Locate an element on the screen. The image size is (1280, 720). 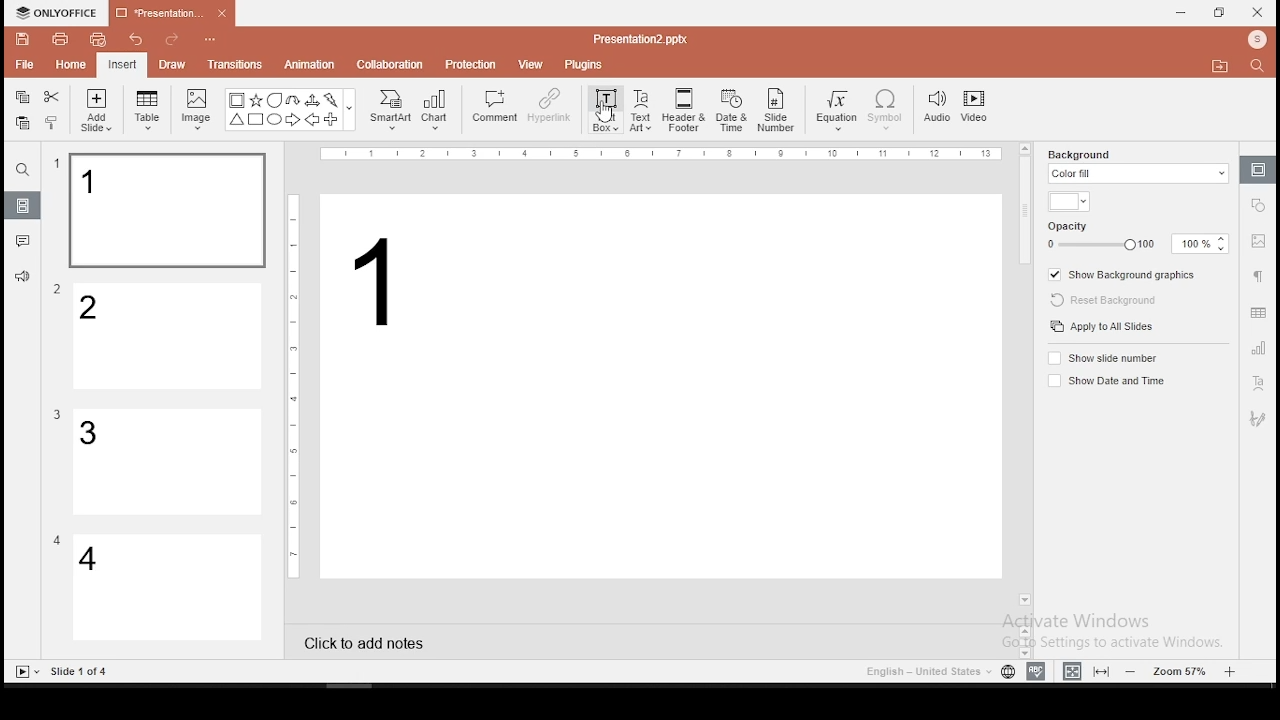
 is located at coordinates (57, 540).